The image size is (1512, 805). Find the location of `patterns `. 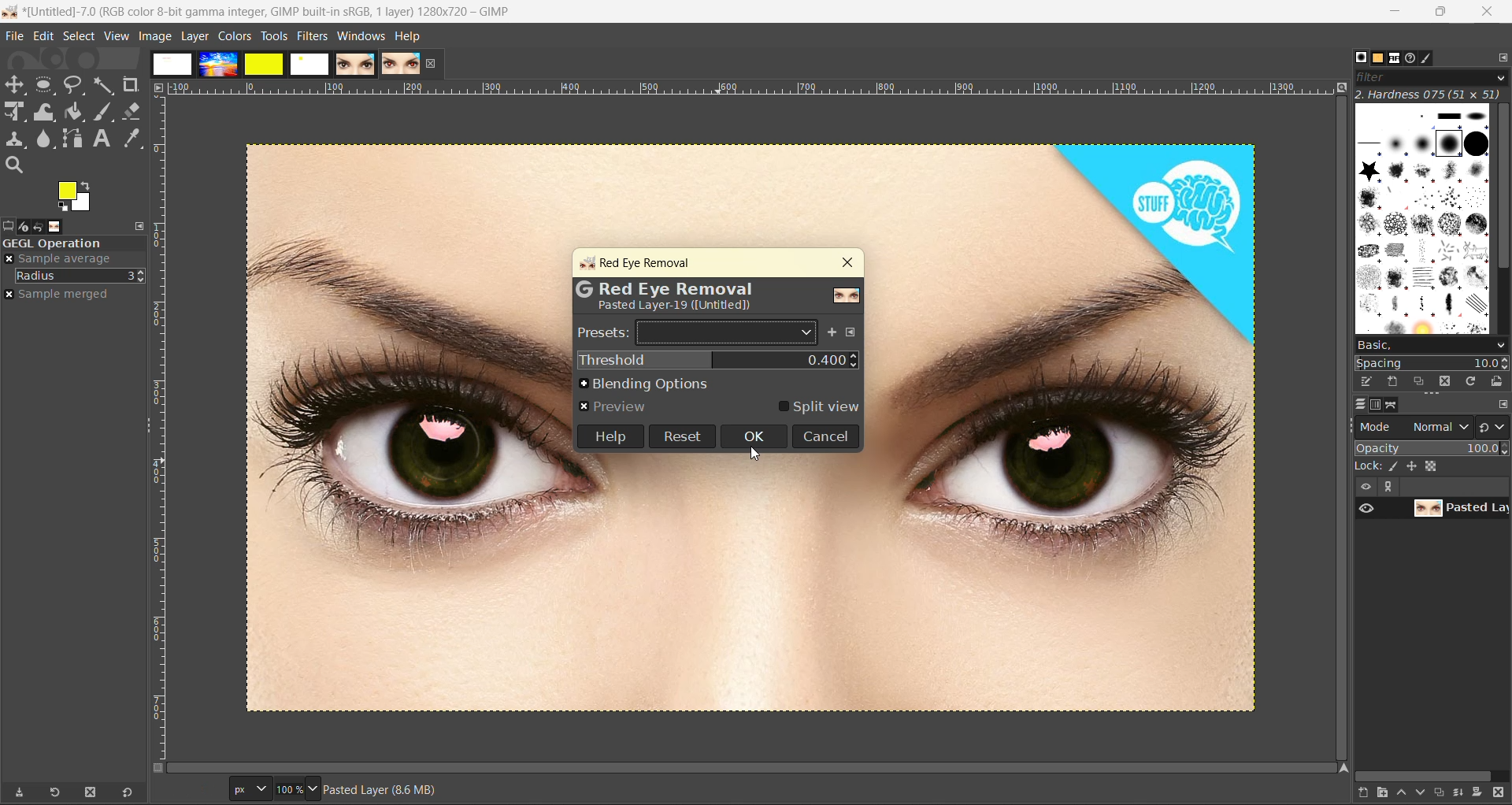

patterns  is located at coordinates (1370, 57).